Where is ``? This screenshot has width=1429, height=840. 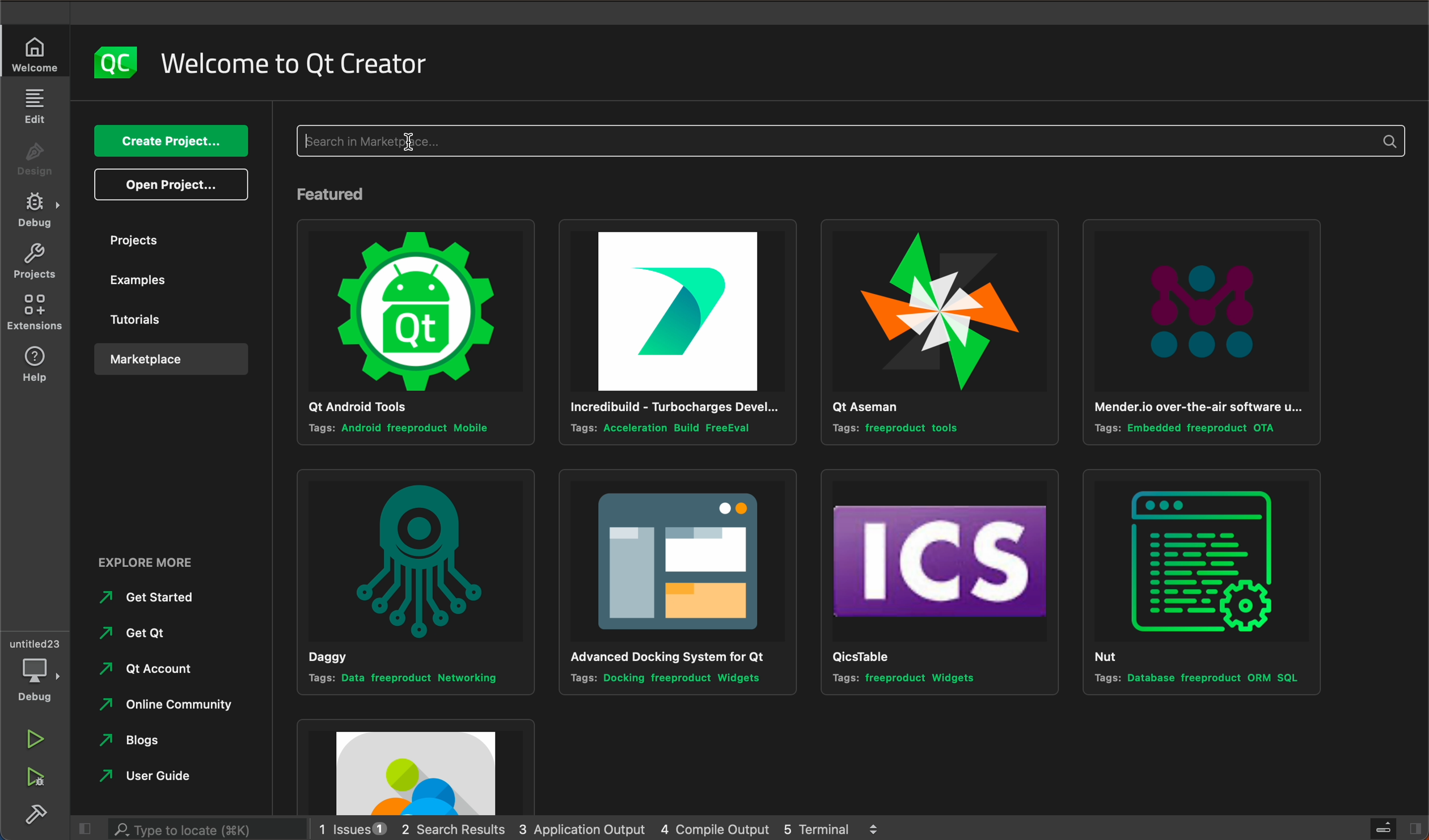
 is located at coordinates (150, 668).